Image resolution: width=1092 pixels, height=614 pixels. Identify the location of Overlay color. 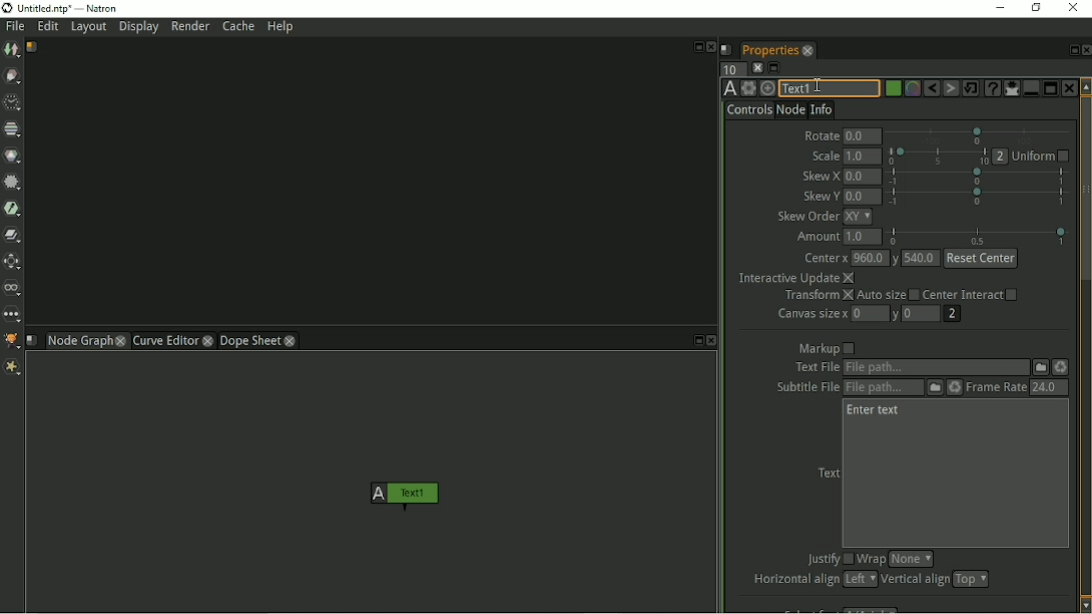
(911, 89).